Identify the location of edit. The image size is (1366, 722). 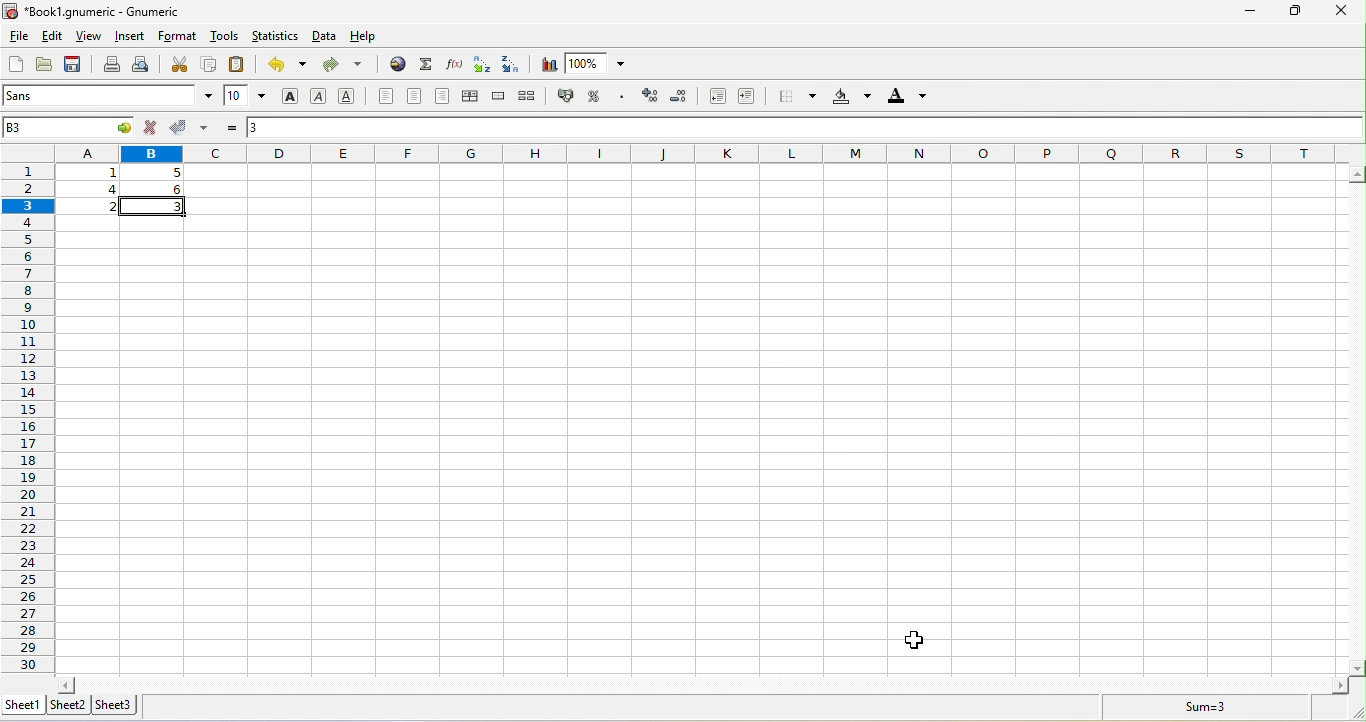
(56, 38).